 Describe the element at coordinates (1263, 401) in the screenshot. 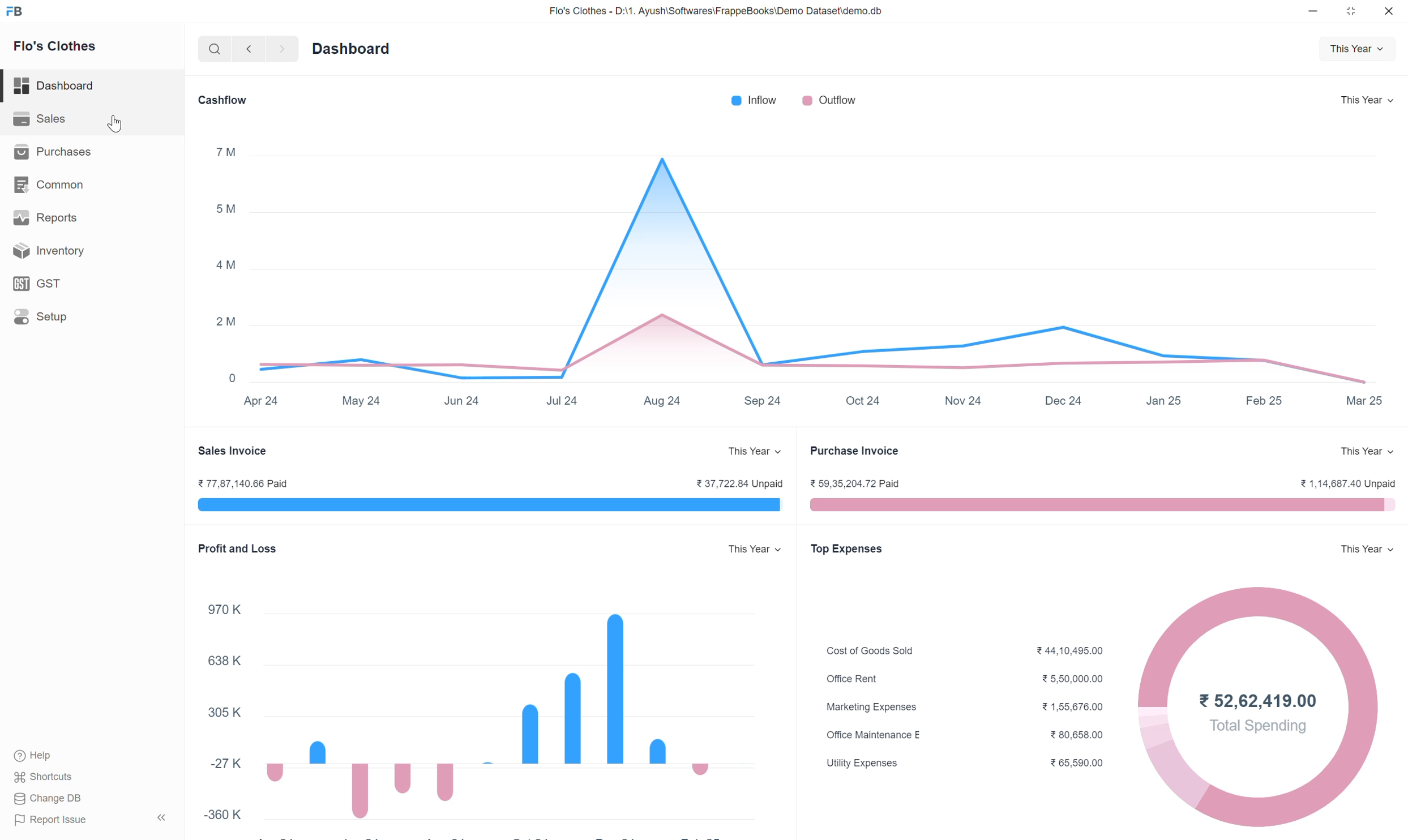

I see `Feb 25` at that location.